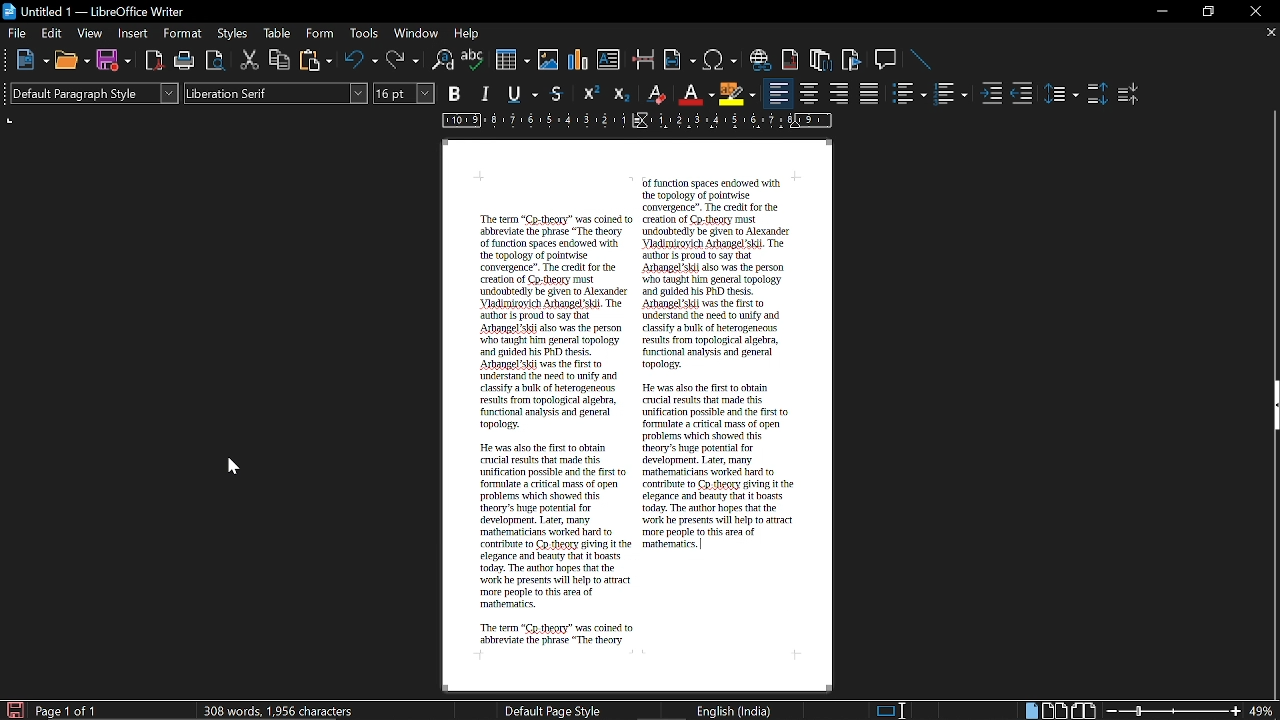  What do you see at coordinates (68, 710) in the screenshot?
I see `current page (Page 1 of 1)` at bounding box center [68, 710].